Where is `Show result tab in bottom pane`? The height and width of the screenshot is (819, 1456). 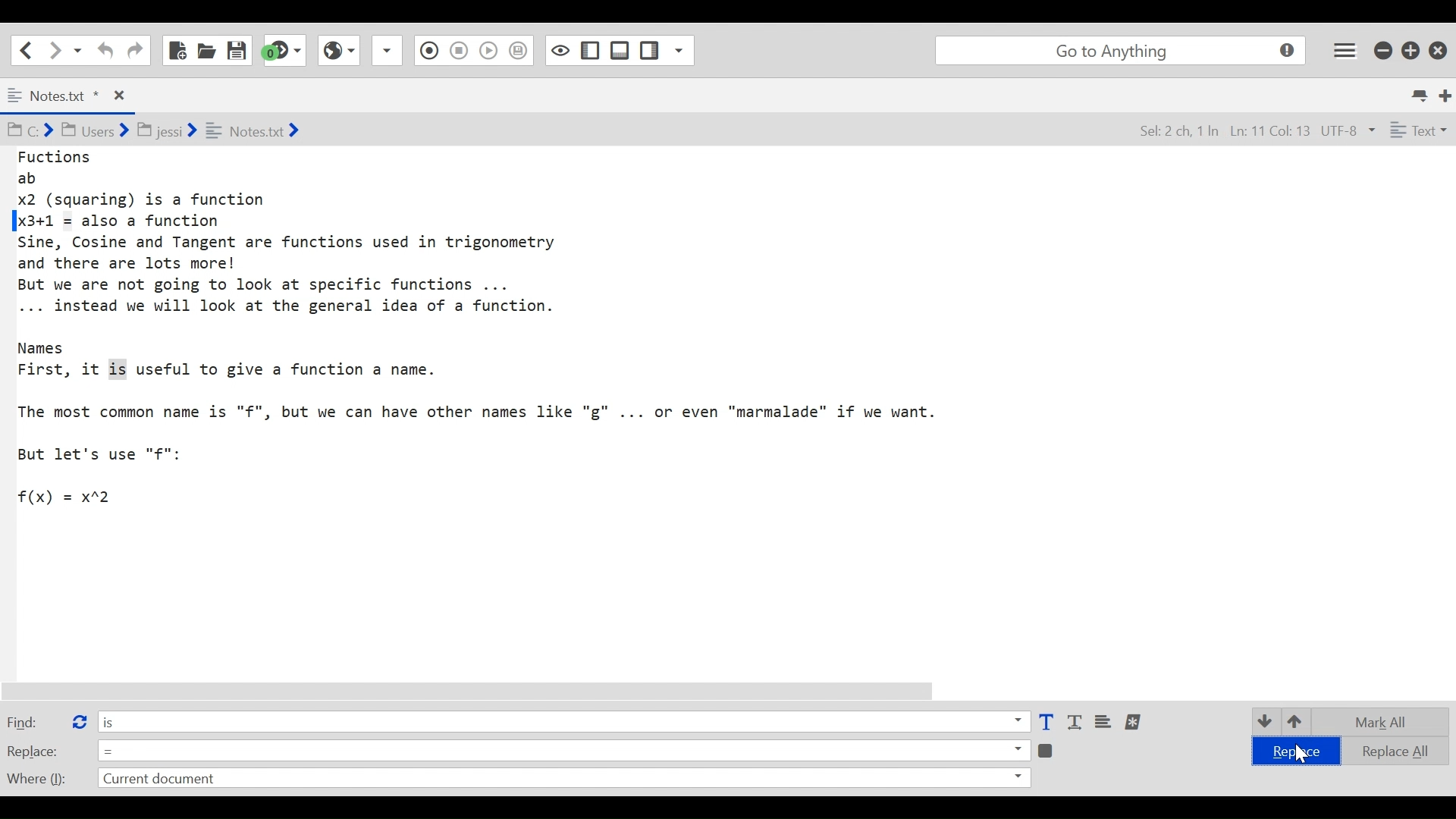
Show result tab in bottom pane is located at coordinates (1048, 749).